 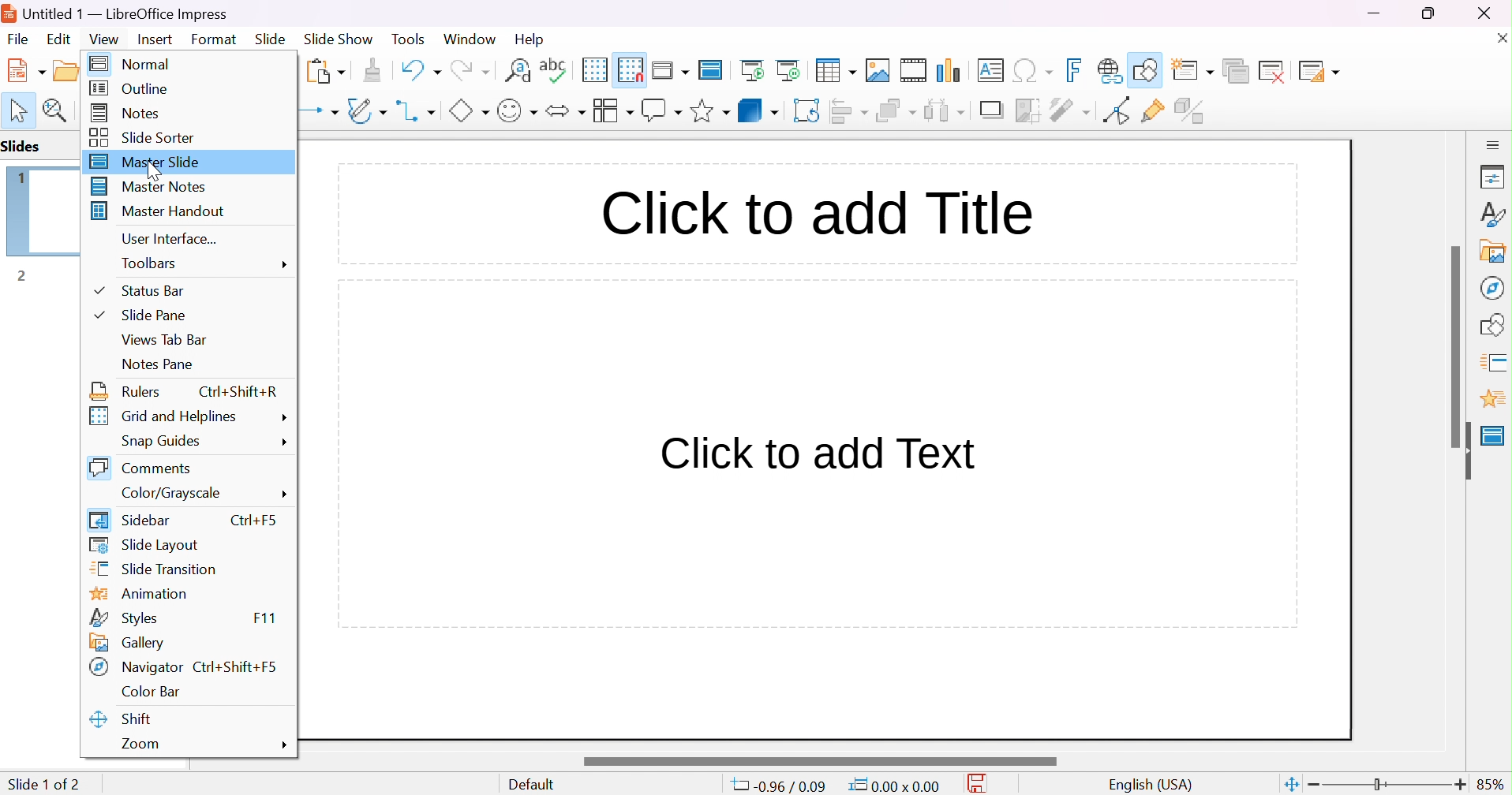 What do you see at coordinates (754, 69) in the screenshot?
I see `start from first slide` at bounding box center [754, 69].